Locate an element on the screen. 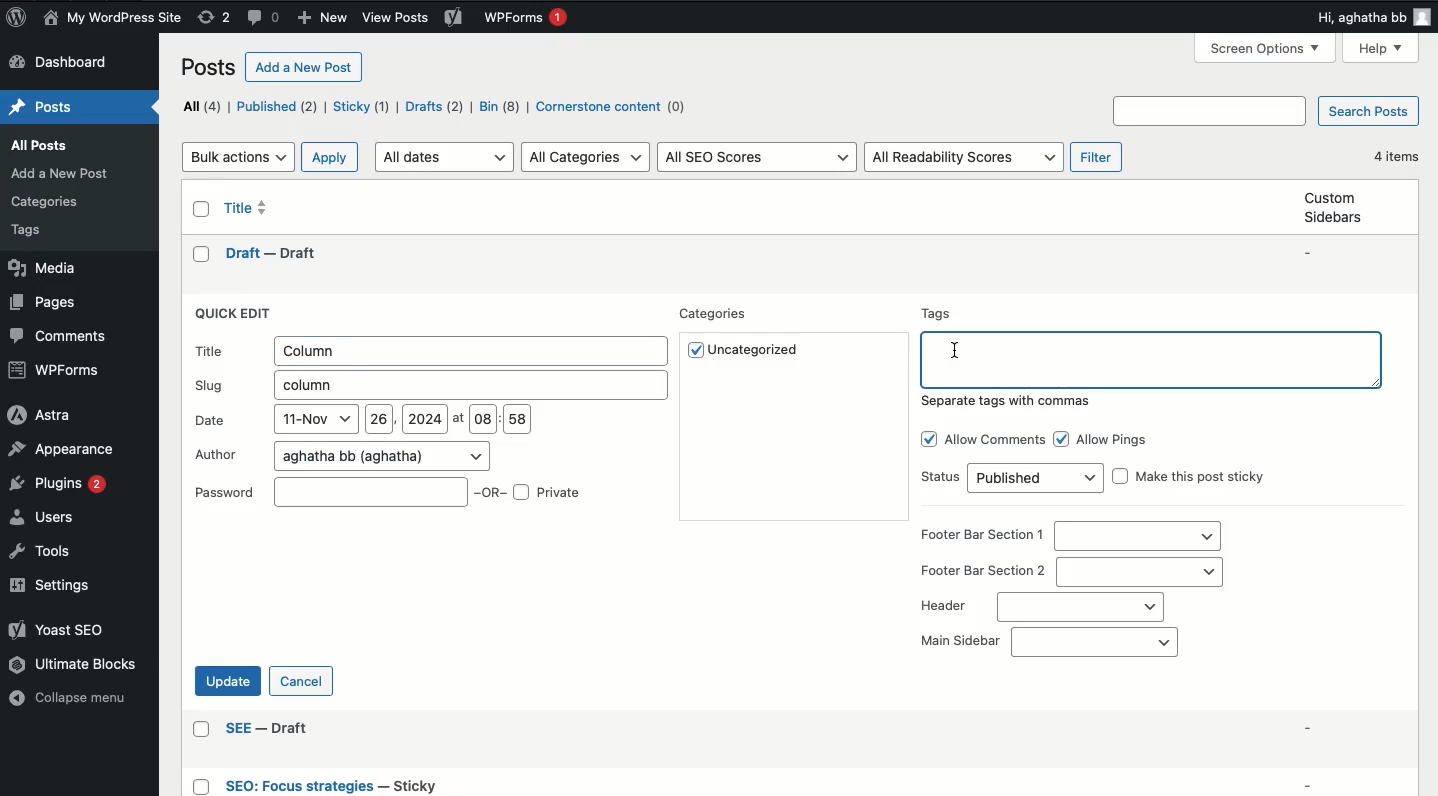 The image size is (1438, 796). Uncategorized is located at coordinates (747, 350).